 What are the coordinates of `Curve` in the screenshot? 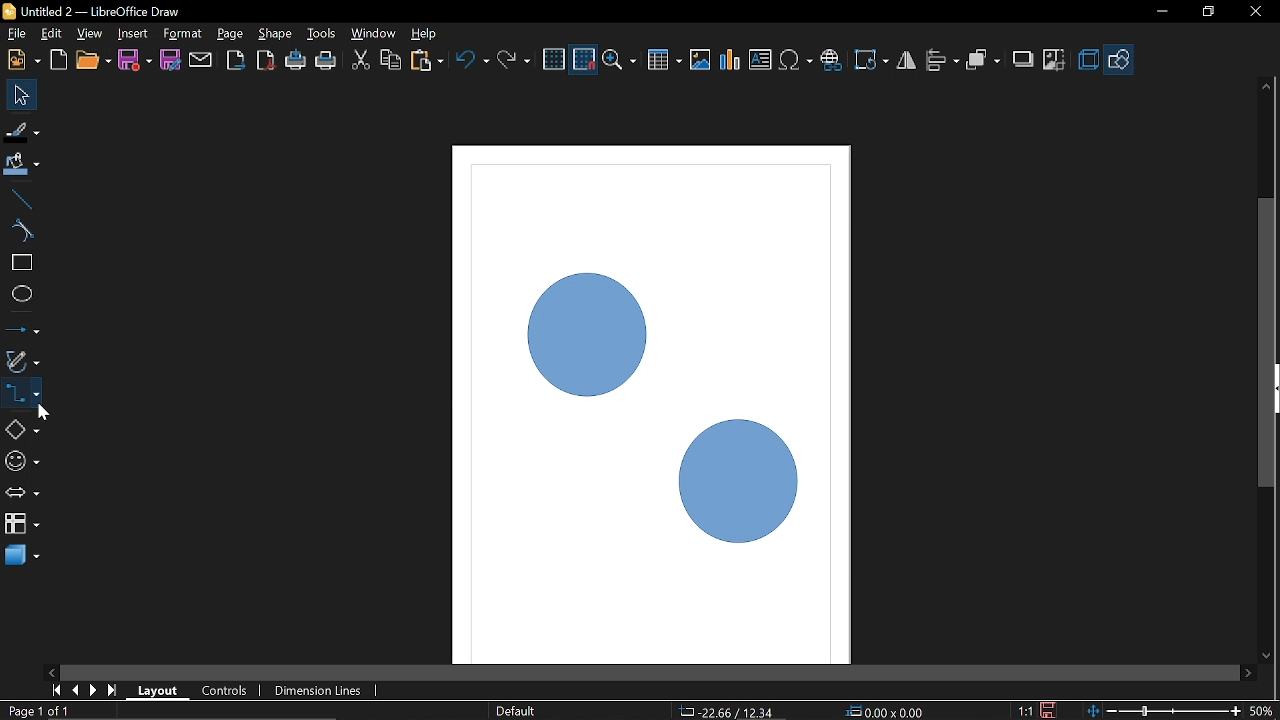 It's located at (18, 229).